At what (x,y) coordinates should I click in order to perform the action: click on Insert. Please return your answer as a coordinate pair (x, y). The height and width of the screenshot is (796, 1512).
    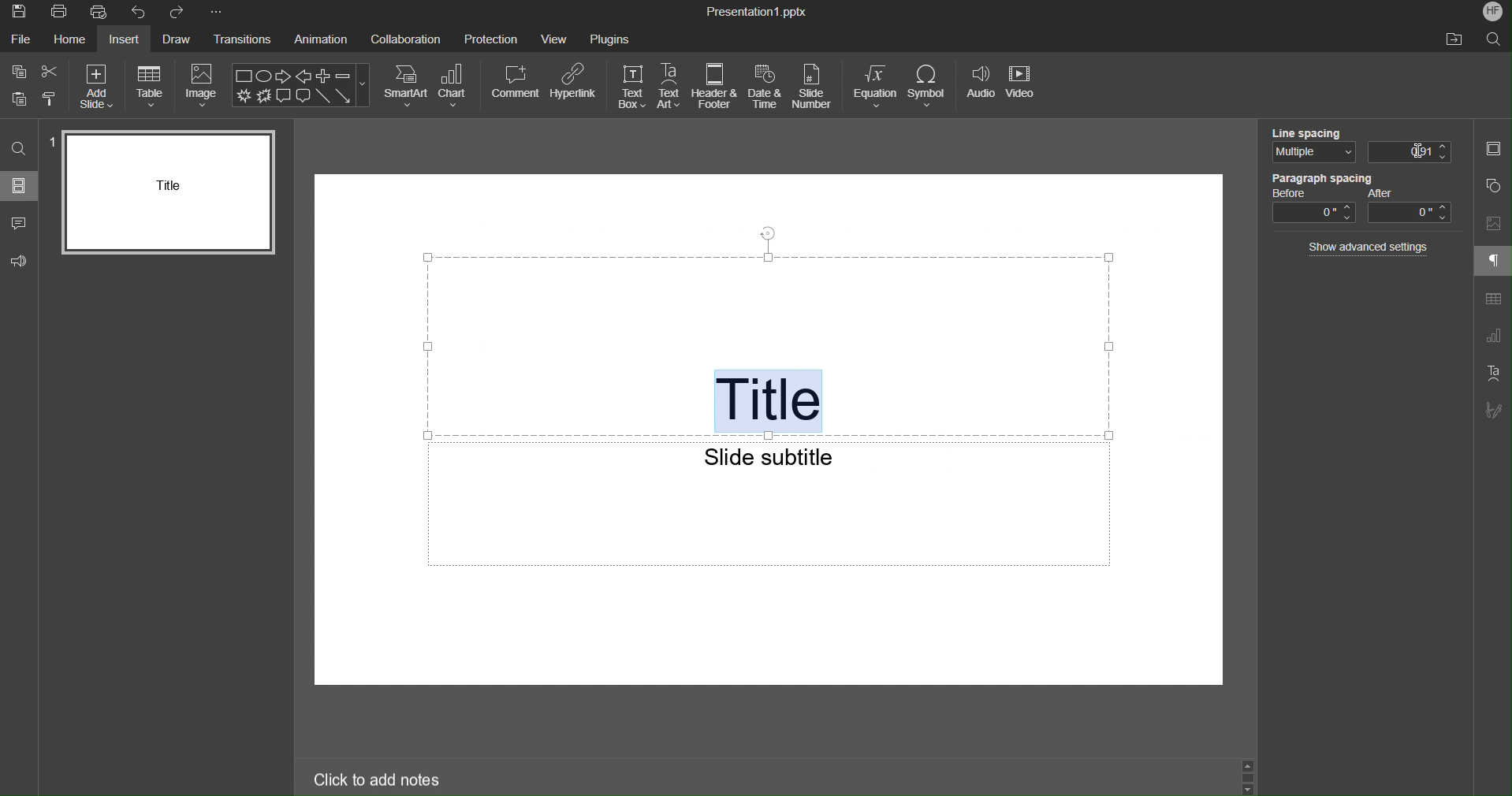
    Looking at the image, I should click on (122, 40).